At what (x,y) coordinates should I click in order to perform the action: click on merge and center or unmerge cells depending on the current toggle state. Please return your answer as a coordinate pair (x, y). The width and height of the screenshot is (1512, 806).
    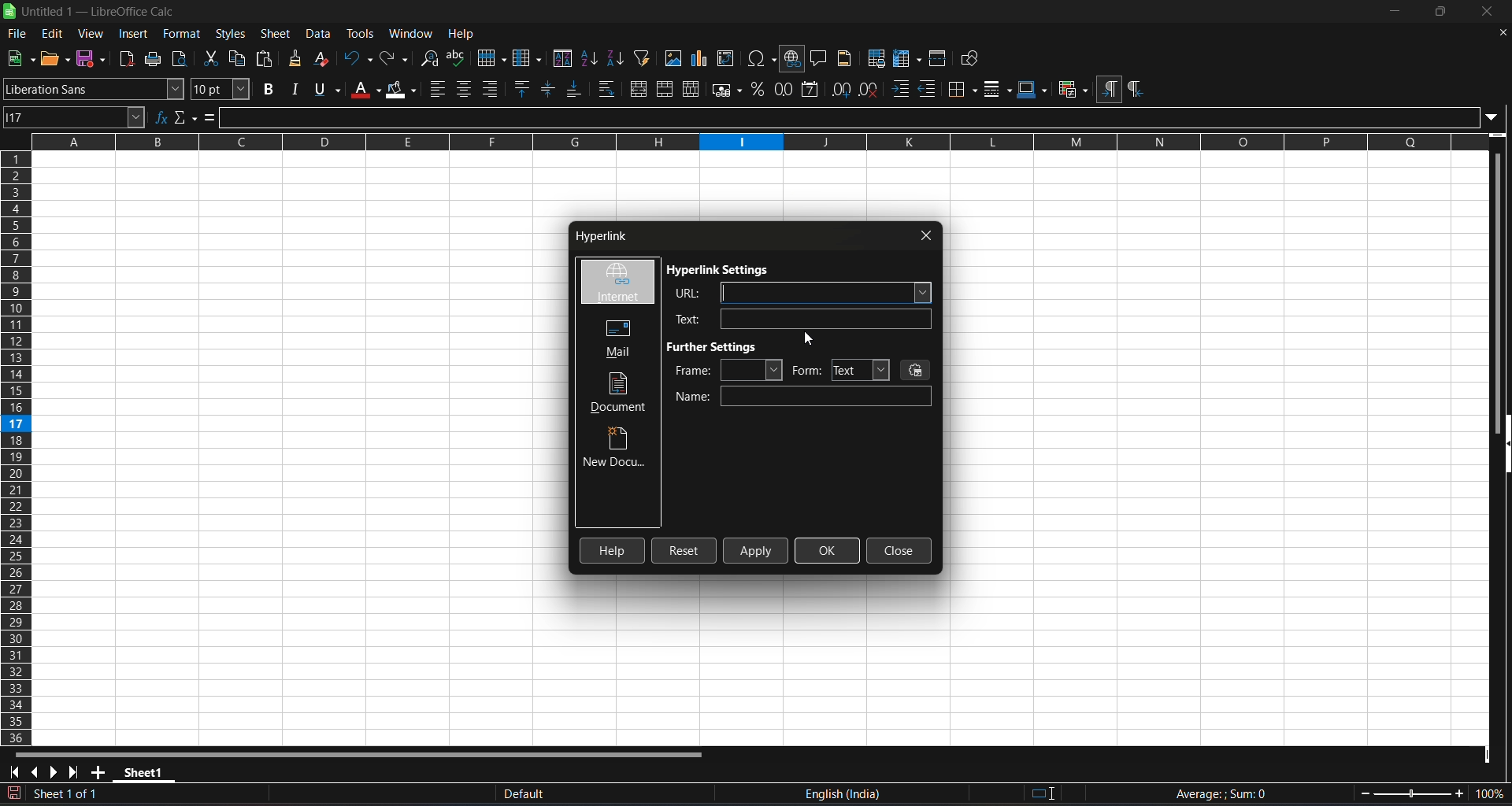
    Looking at the image, I should click on (638, 88).